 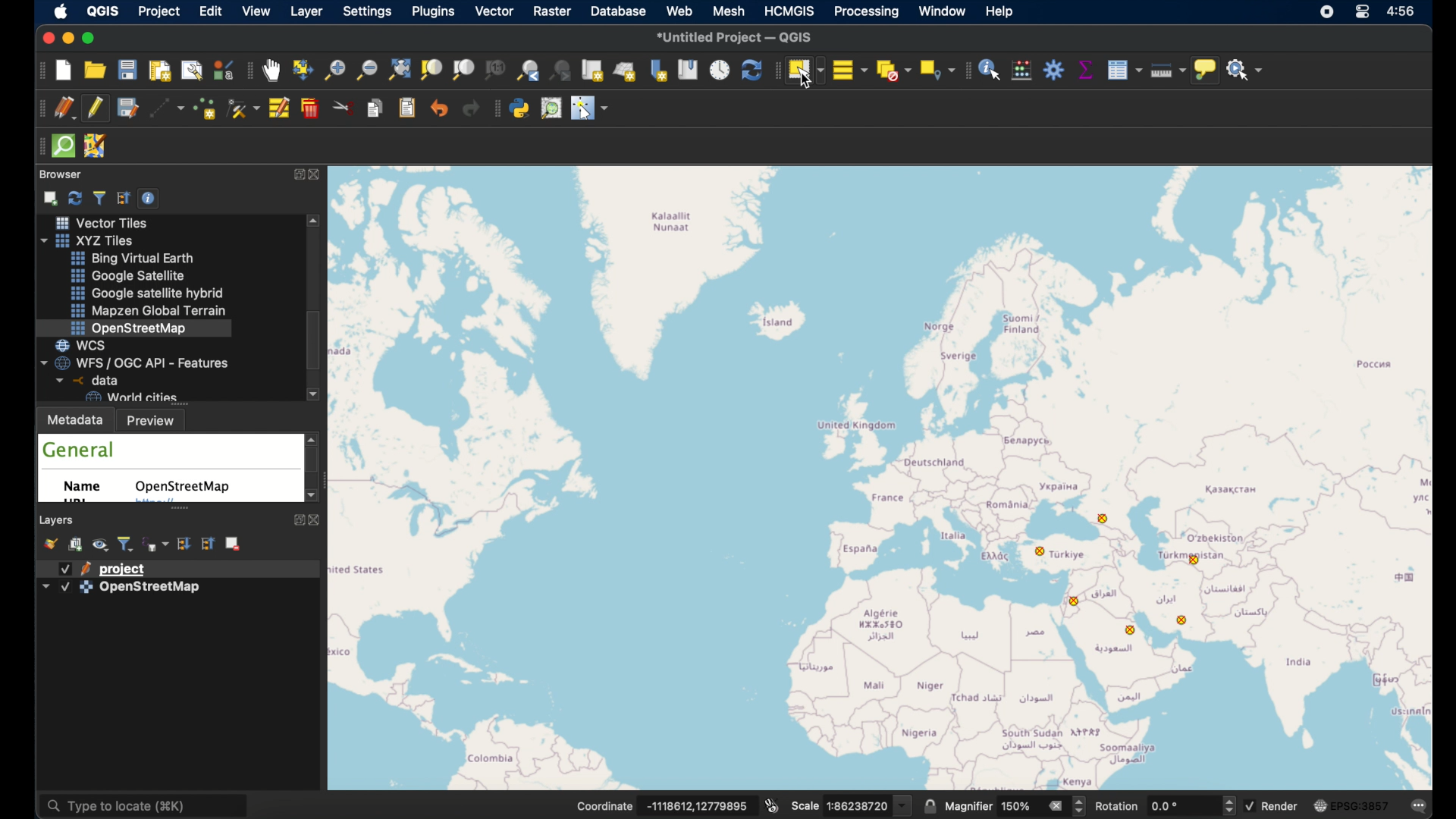 What do you see at coordinates (107, 10) in the screenshot?
I see `QGIS` at bounding box center [107, 10].